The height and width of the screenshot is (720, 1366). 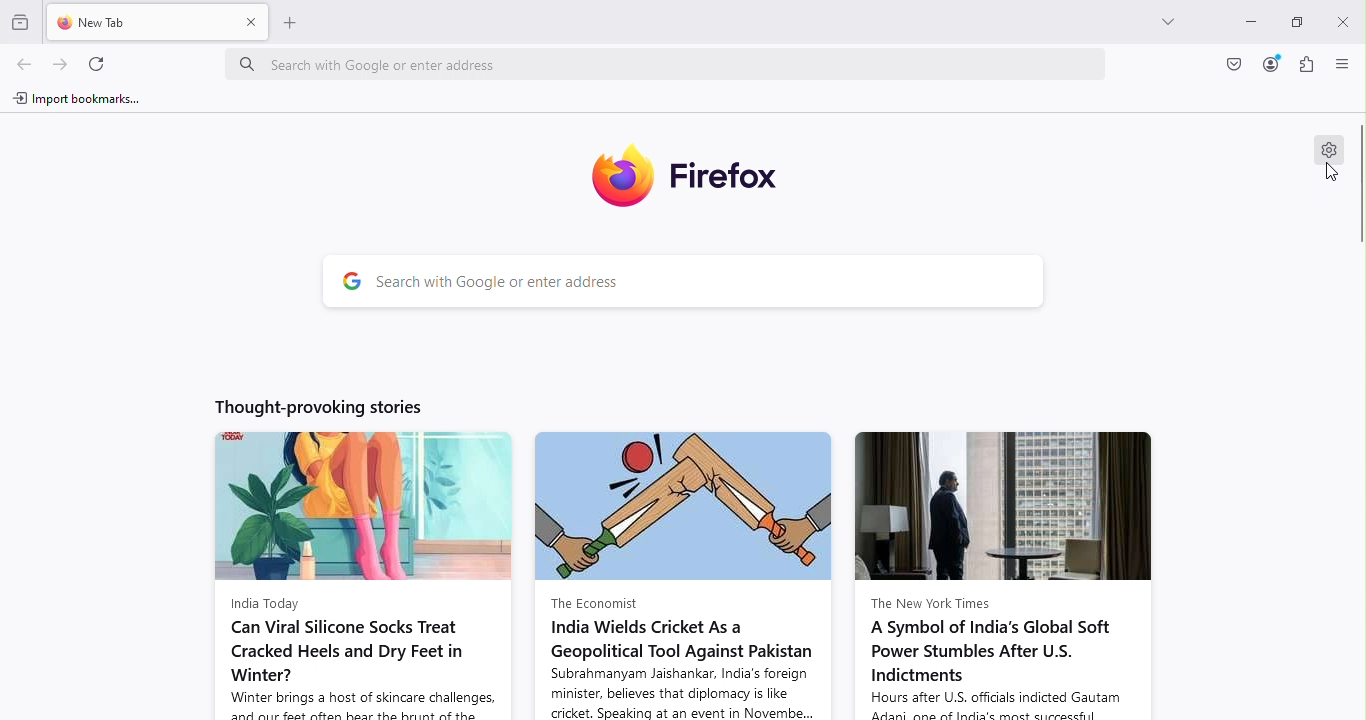 What do you see at coordinates (250, 21) in the screenshot?
I see `Close tab` at bounding box center [250, 21].